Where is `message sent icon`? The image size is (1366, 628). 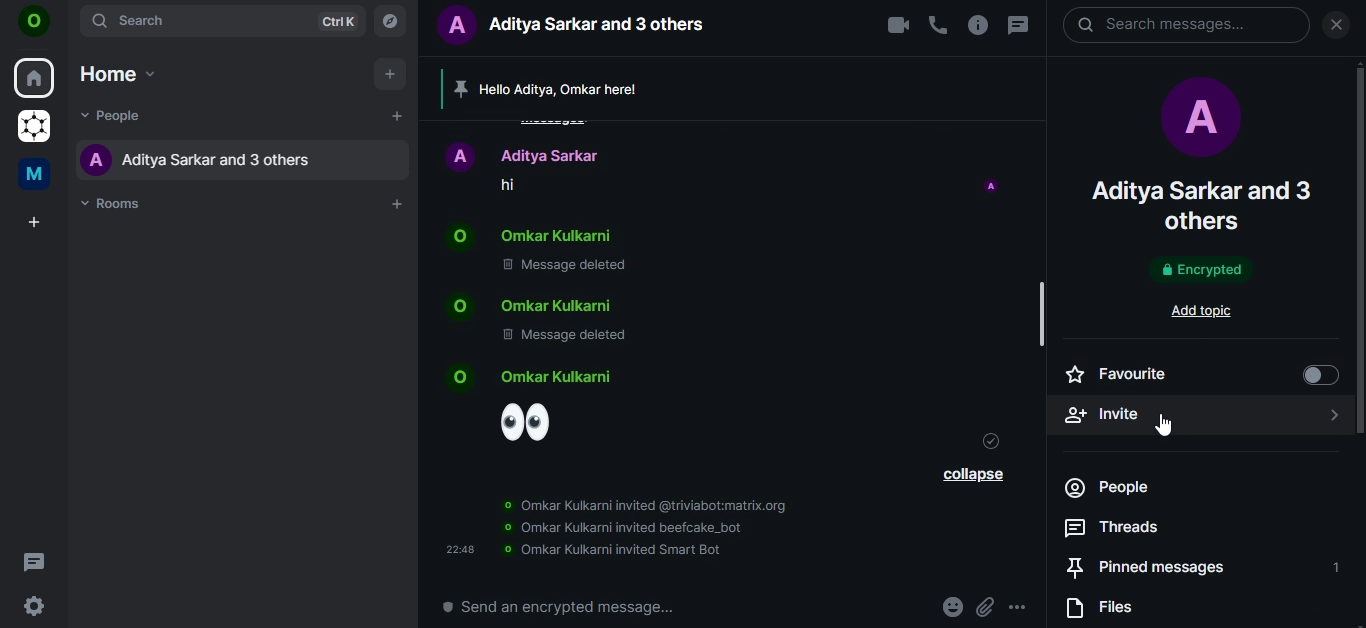 message sent icon is located at coordinates (988, 441).